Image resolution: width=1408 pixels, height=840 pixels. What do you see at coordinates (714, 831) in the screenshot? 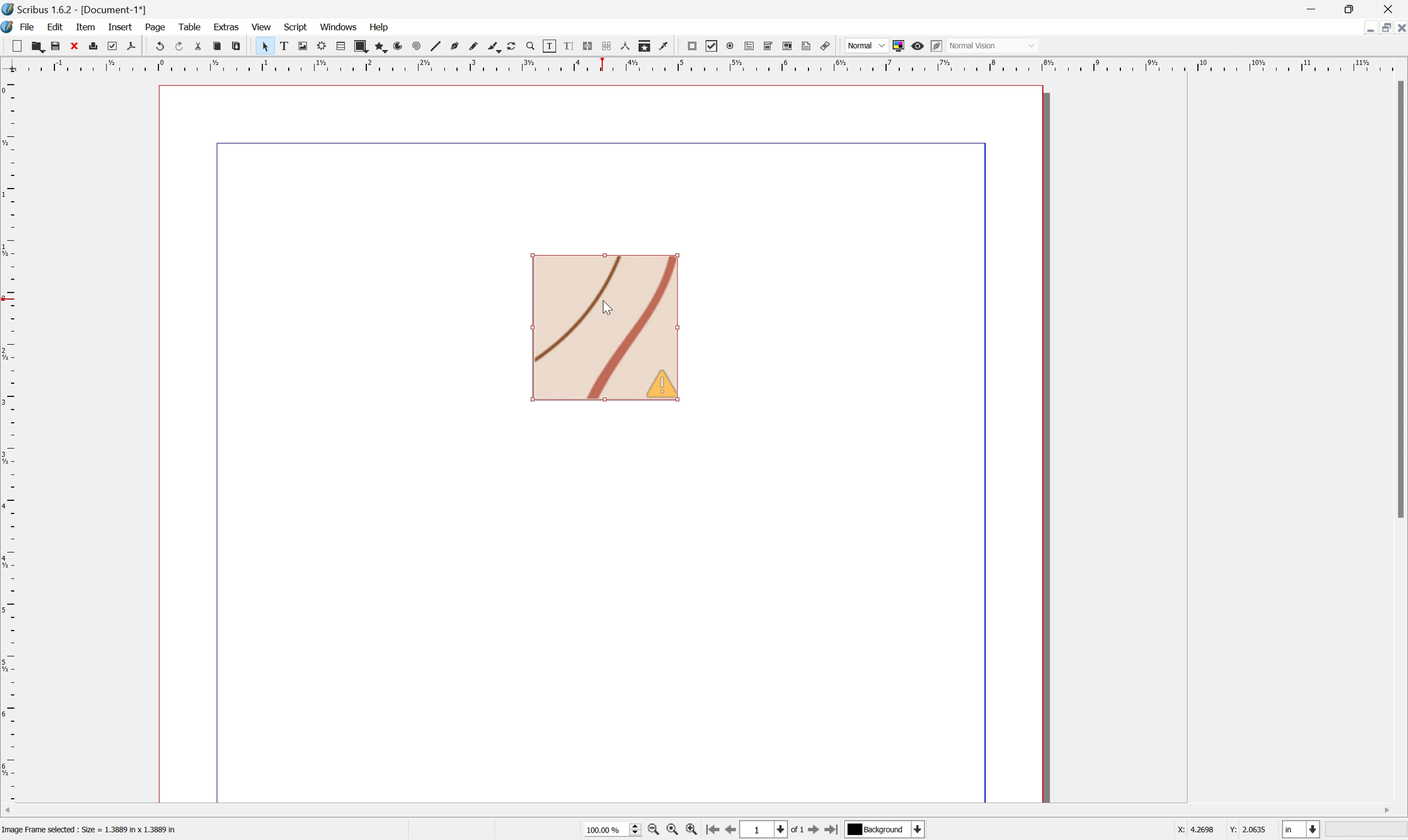
I see `Go to the first page` at bounding box center [714, 831].